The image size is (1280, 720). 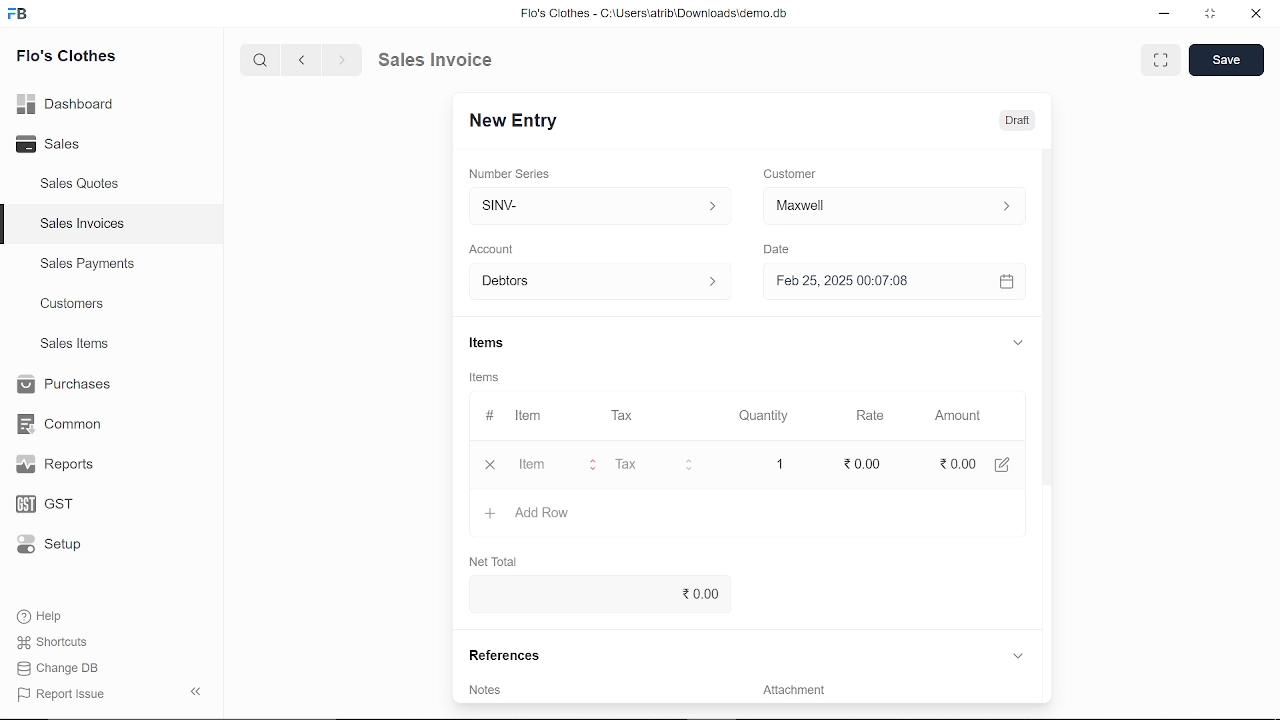 What do you see at coordinates (60, 465) in the screenshot?
I see `Reports` at bounding box center [60, 465].